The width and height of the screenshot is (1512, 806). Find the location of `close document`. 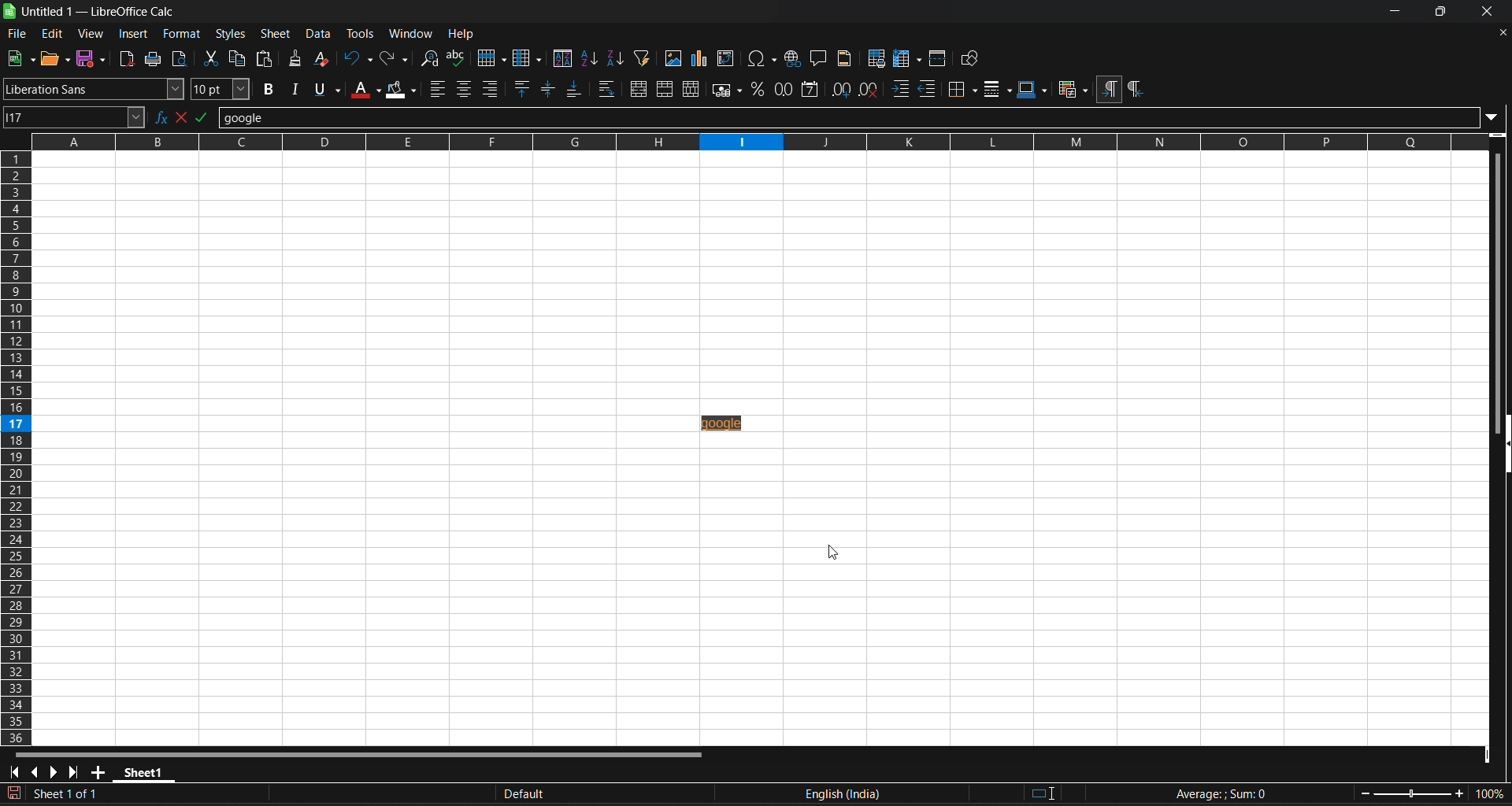

close document is located at coordinates (1502, 33).